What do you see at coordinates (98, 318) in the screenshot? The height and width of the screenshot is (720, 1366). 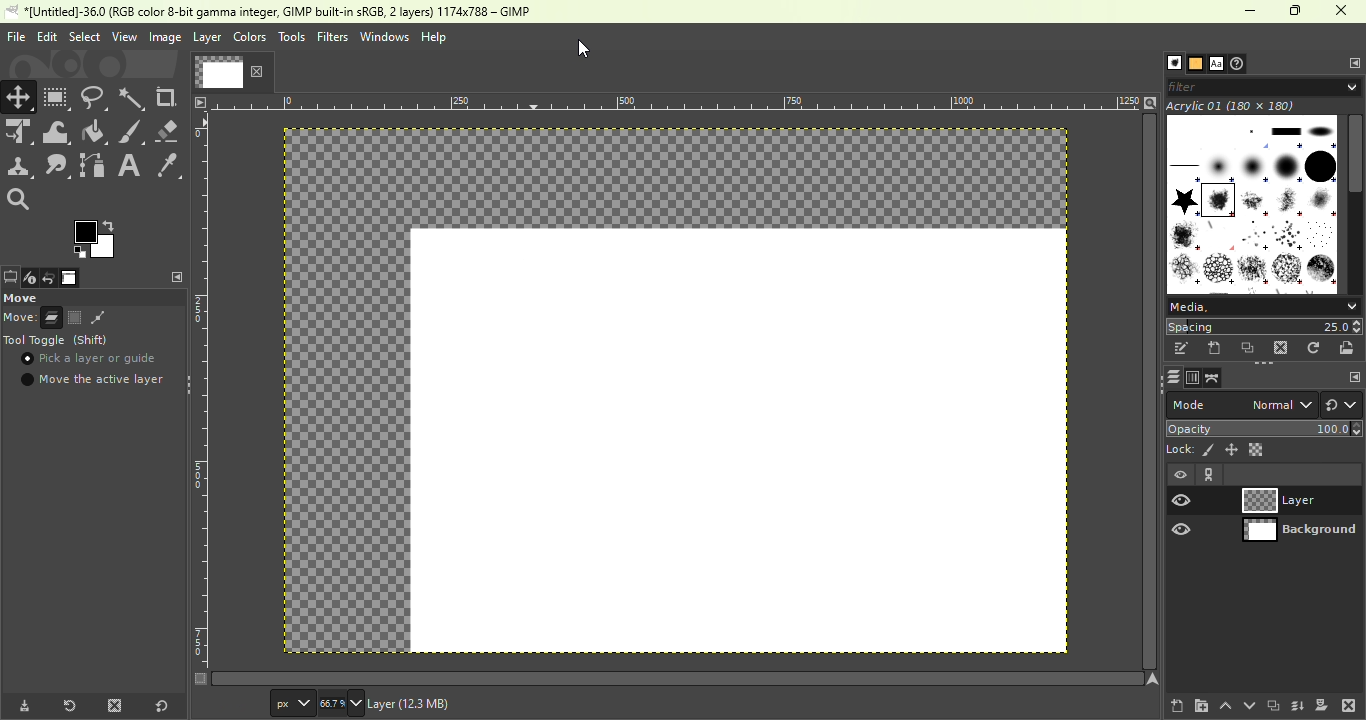 I see `Subtract from the current selection` at bounding box center [98, 318].